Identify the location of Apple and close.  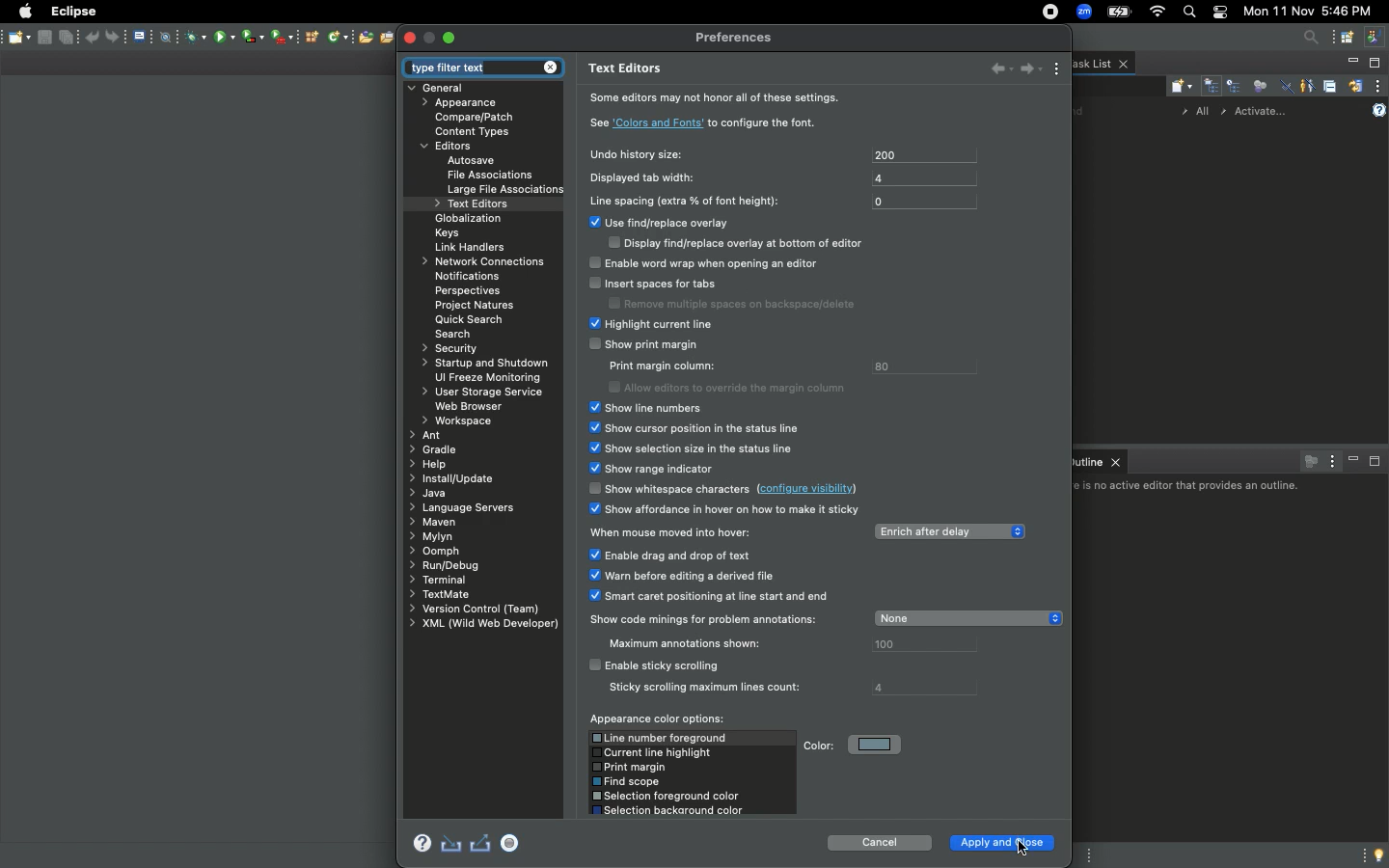
(1003, 843).